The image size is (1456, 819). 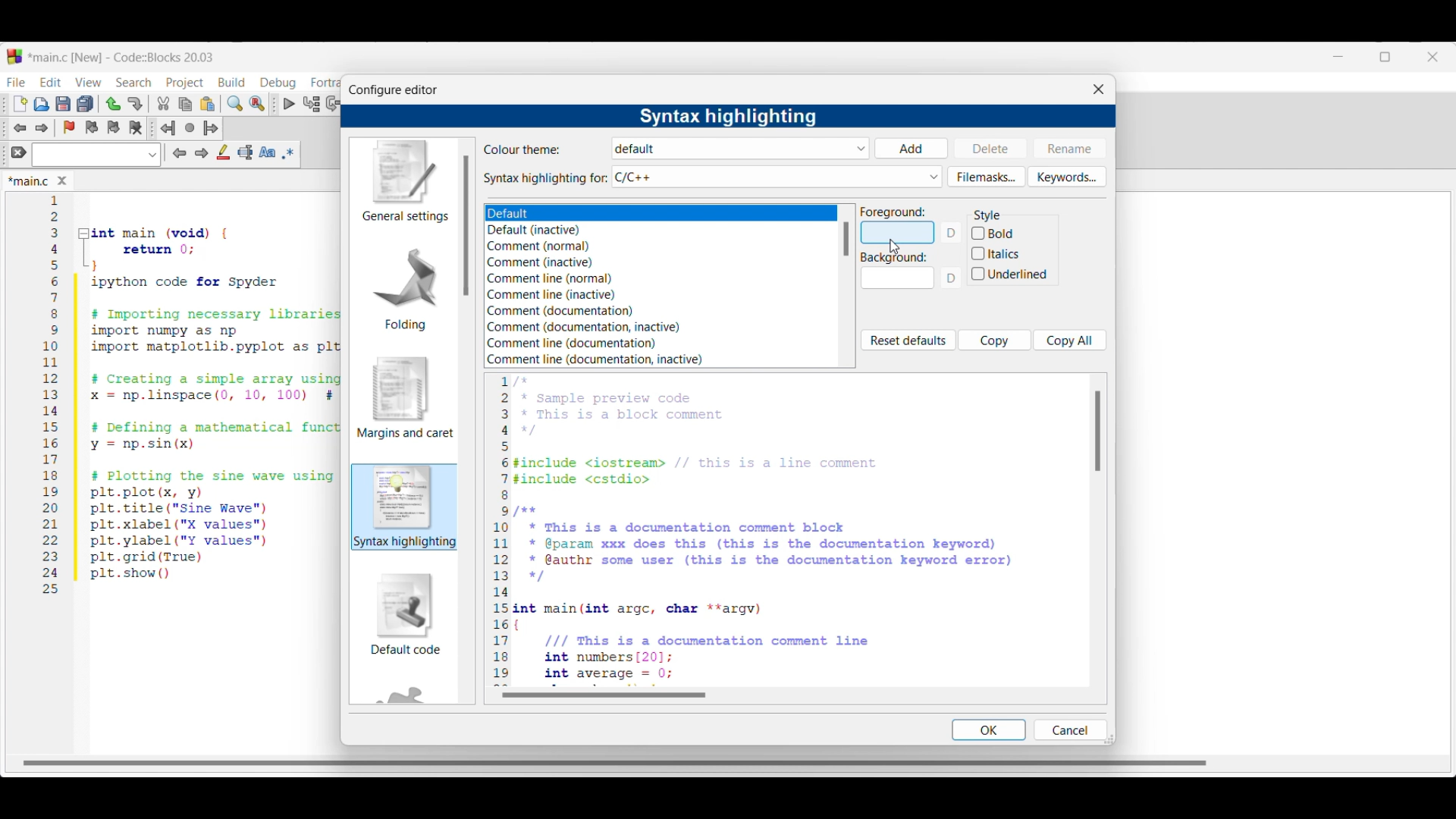 What do you see at coordinates (288, 153) in the screenshot?
I see `Use regex` at bounding box center [288, 153].